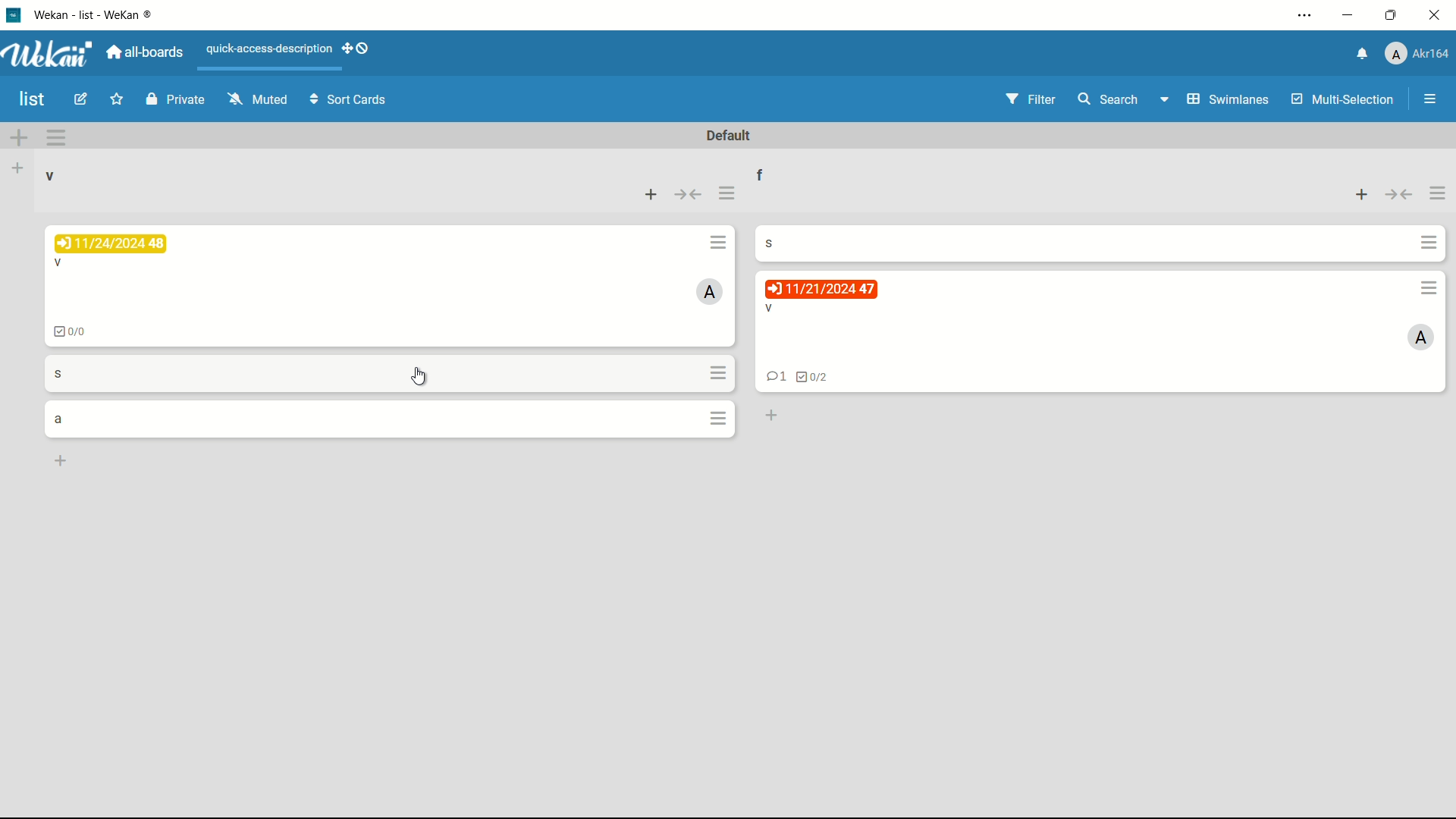 This screenshot has width=1456, height=819. I want to click on swimlanes, so click(1229, 100).